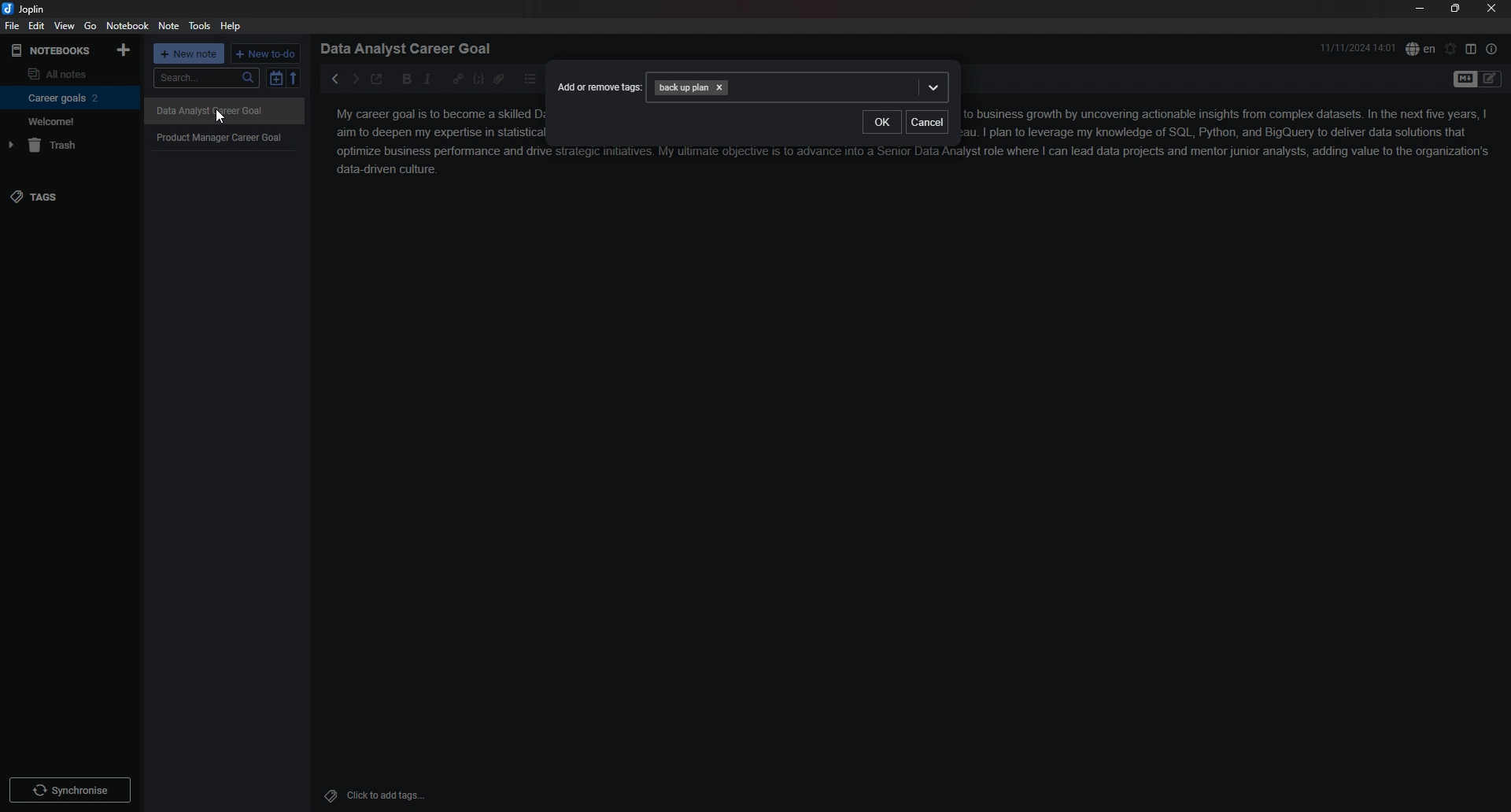 The image size is (1511, 812). Describe the element at coordinates (427, 79) in the screenshot. I see `italic` at that location.